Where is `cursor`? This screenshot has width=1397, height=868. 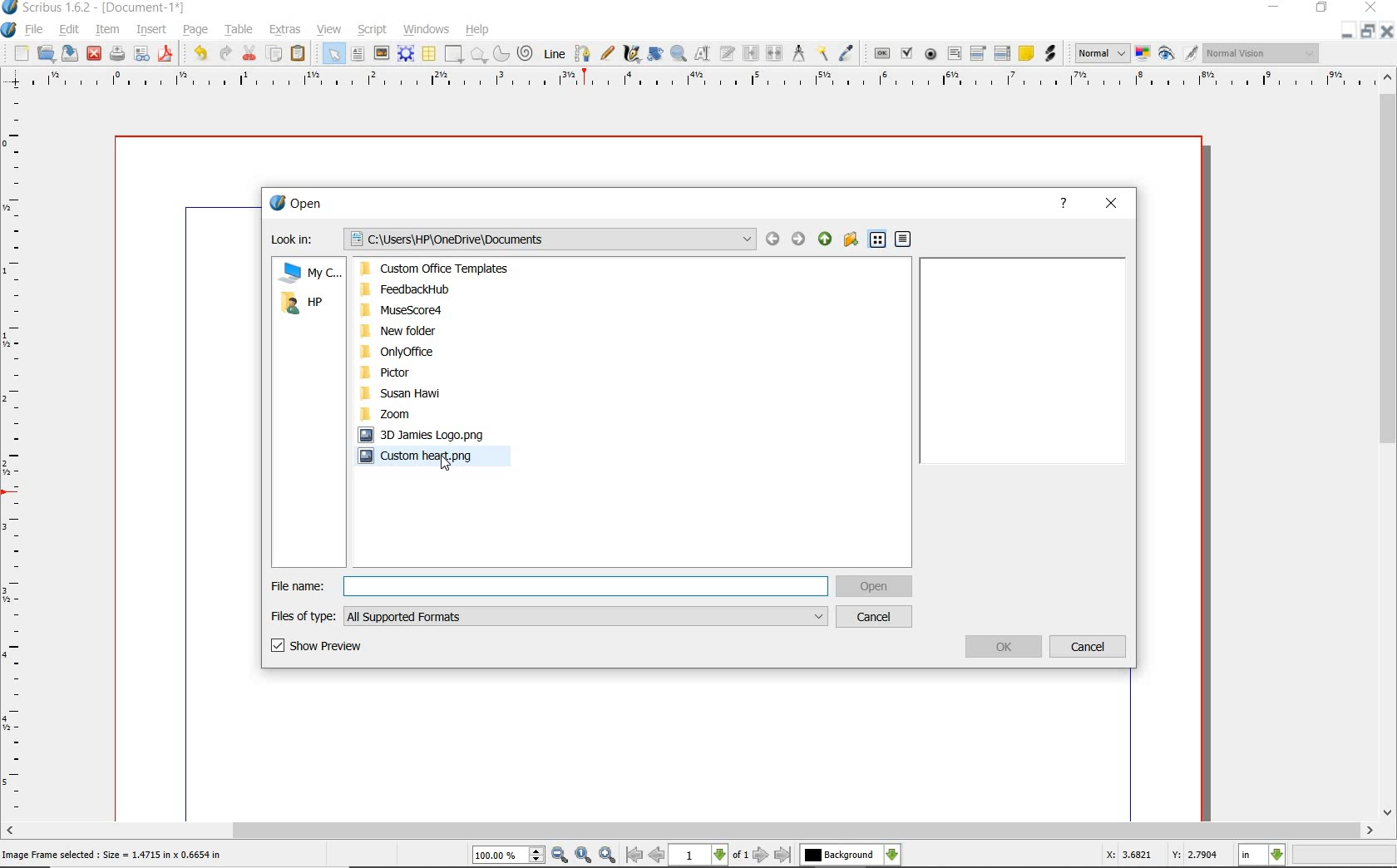
cursor is located at coordinates (444, 461).